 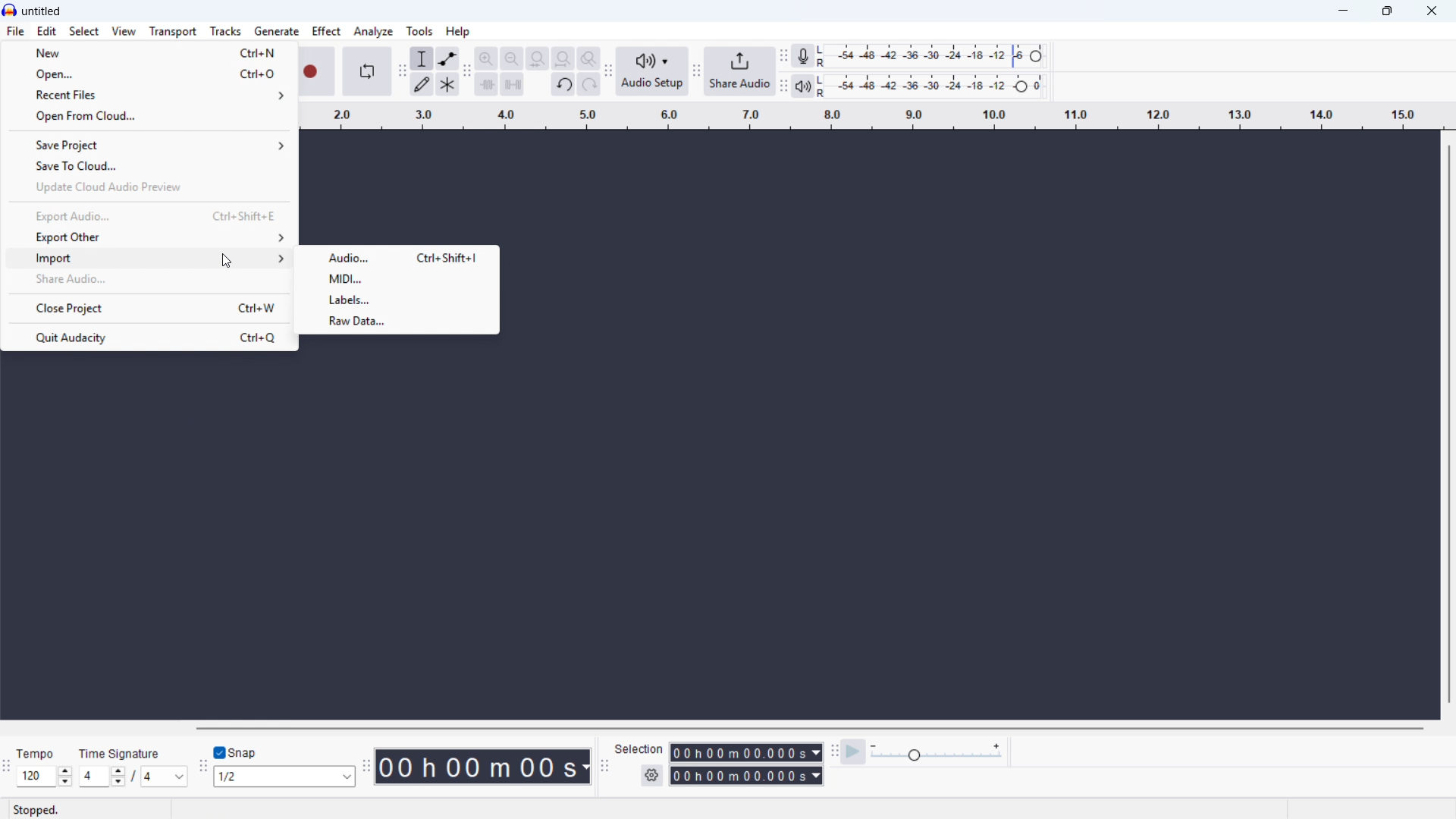 I want to click on open , so click(x=150, y=72).